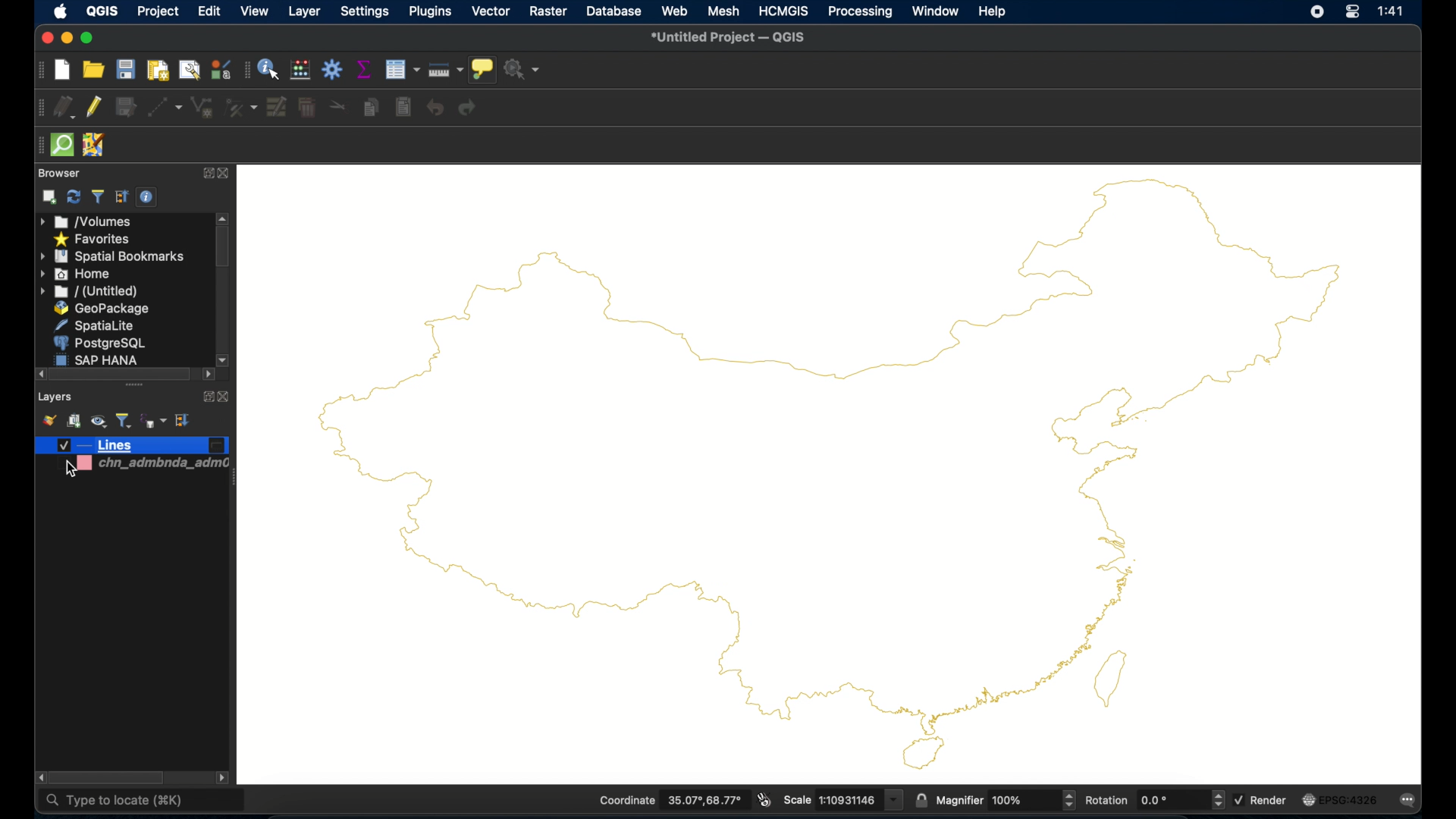 The height and width of the screenshot is (819, 1456). What do you see at coordinates (221, 69) in the screenshot?
I see `styling manager` at bounding box center [221, 69].